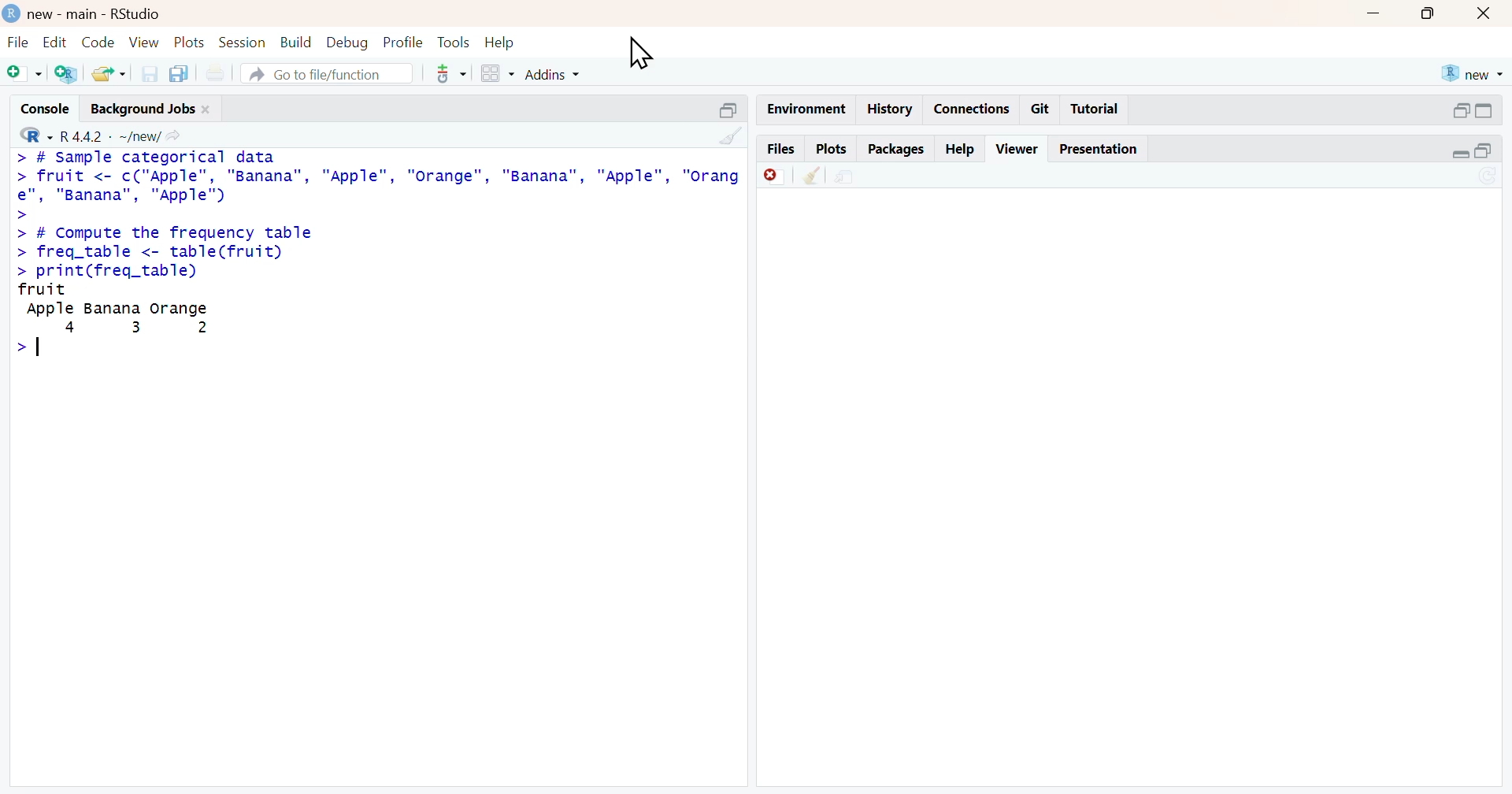 The width and height of the screenshot is (1512, 794). What do you see at coordinates (1103, 150) in the screenshot?
I see `presentation` at bounding box center [1103, 150].